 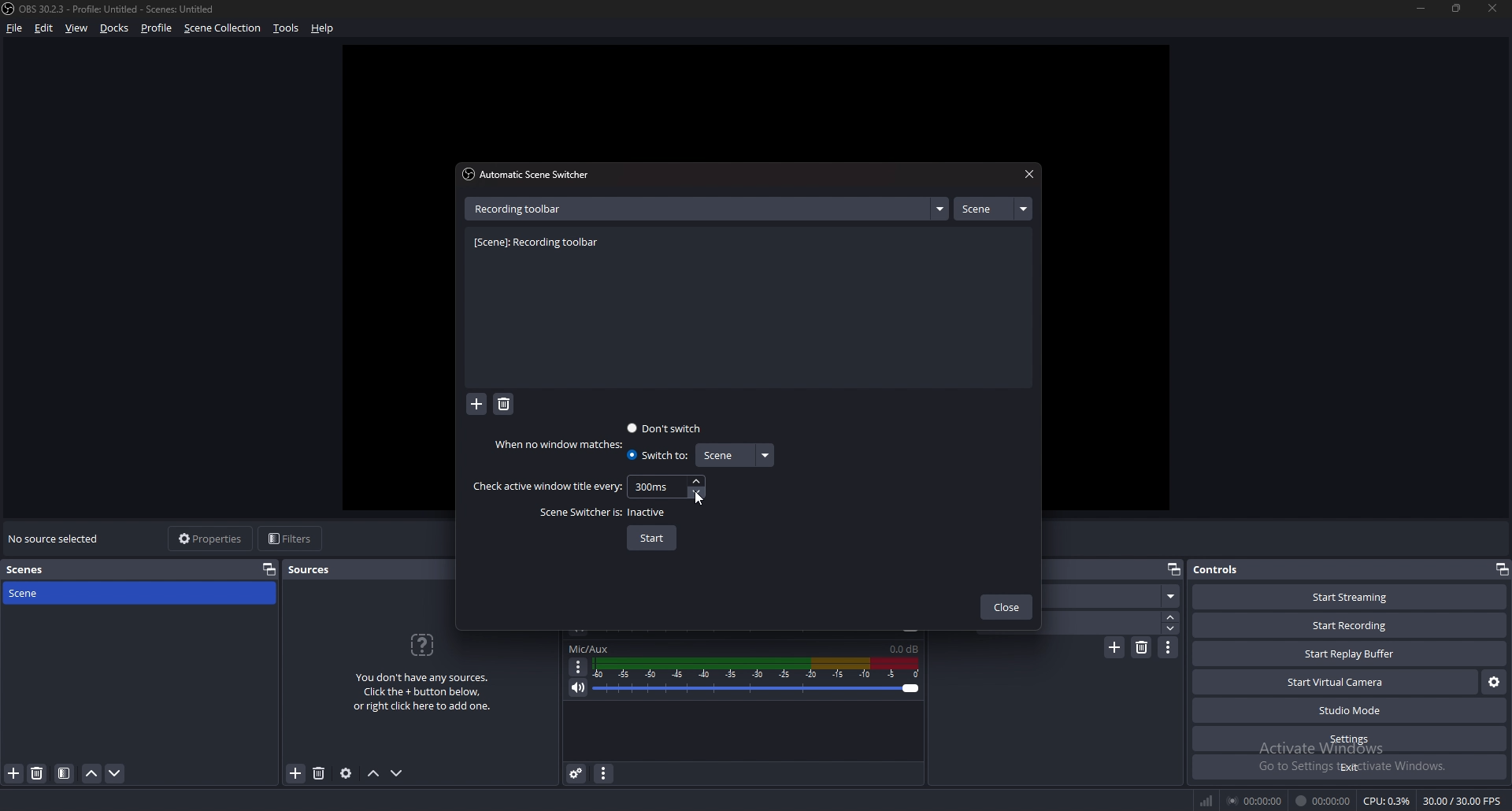 What do you see at coordinates (1351, 597) in the screenshot?
I see `start streaming` at bounding box center [1351, 597].